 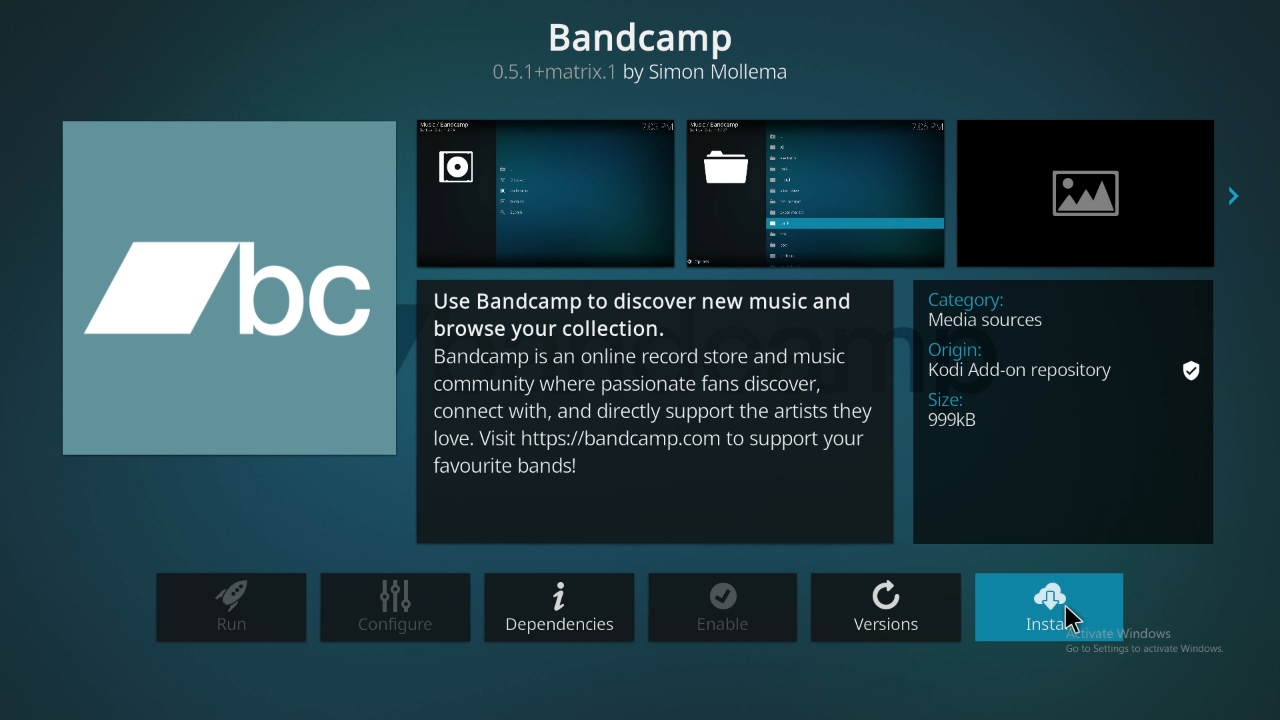 I want to click on add on photo, so click(x=226, y=287).